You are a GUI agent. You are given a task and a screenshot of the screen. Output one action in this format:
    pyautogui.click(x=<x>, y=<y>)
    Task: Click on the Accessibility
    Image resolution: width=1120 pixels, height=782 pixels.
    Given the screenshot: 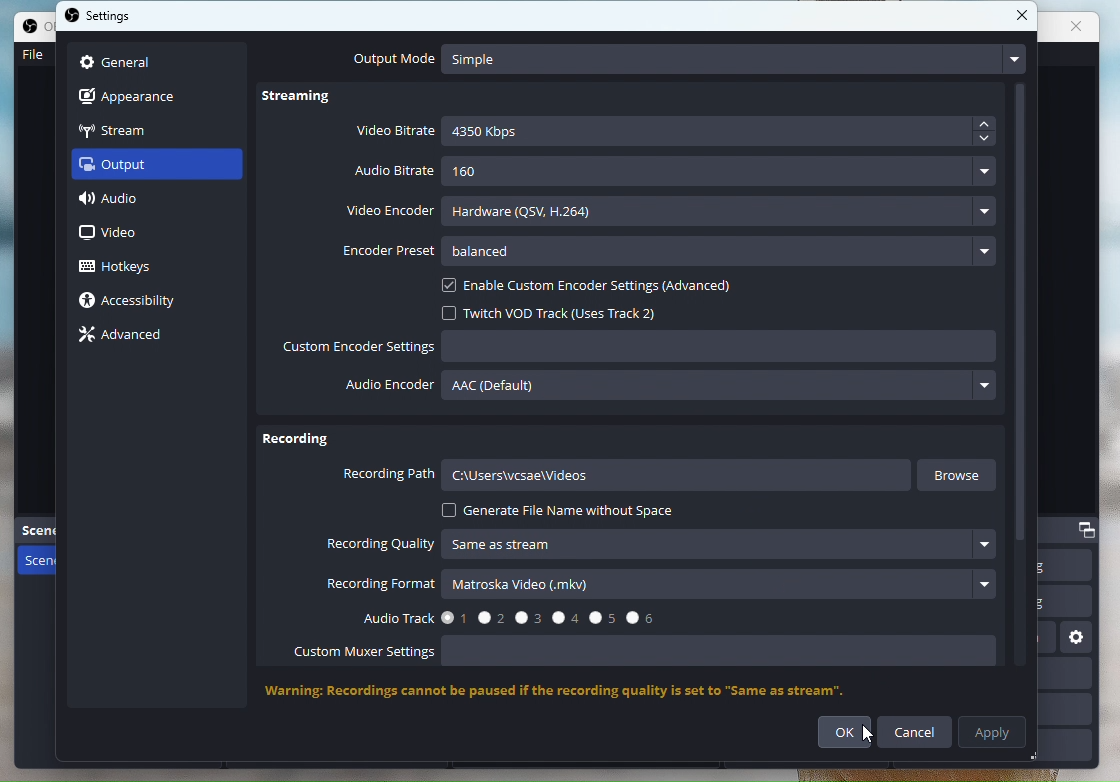 What is the action you would take?
    pyautogui.click(x=138, y=302)
    